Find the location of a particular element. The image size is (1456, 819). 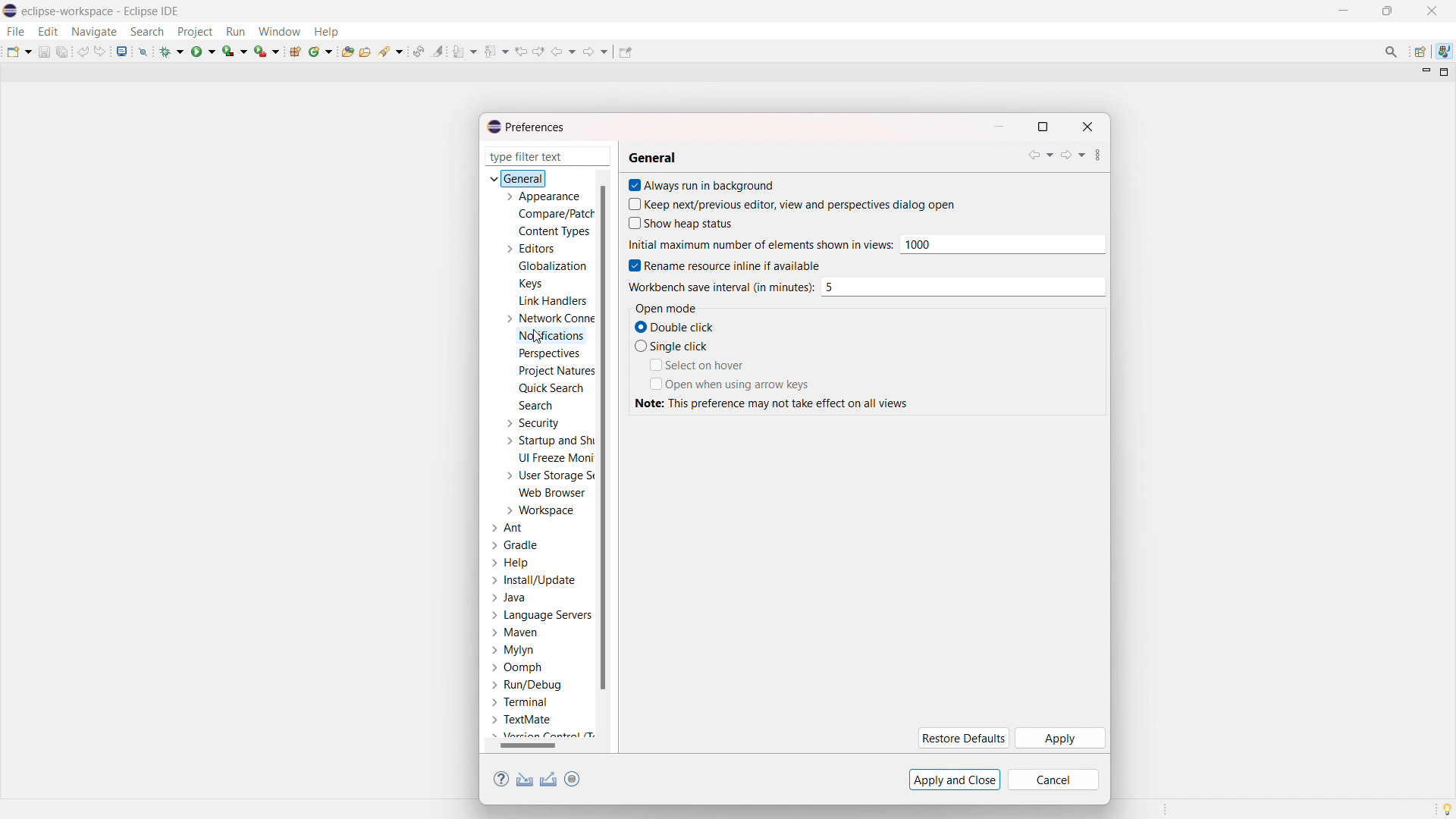

general is located at coordinates (519, 178).